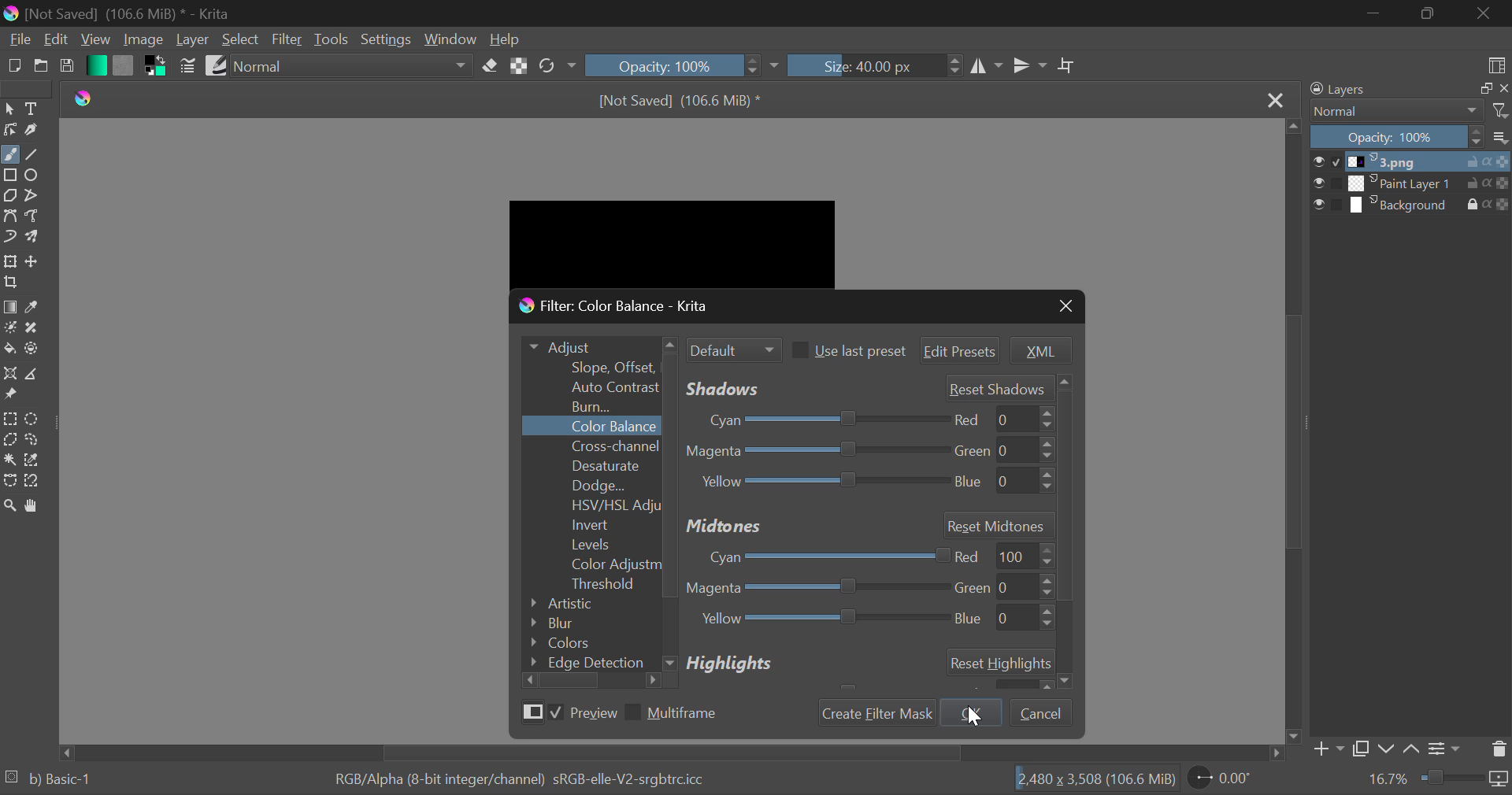  What do you see at coordinates (972, 712) in the screenshot?
I see `cursor on OK` at bounding box center [972, 712].